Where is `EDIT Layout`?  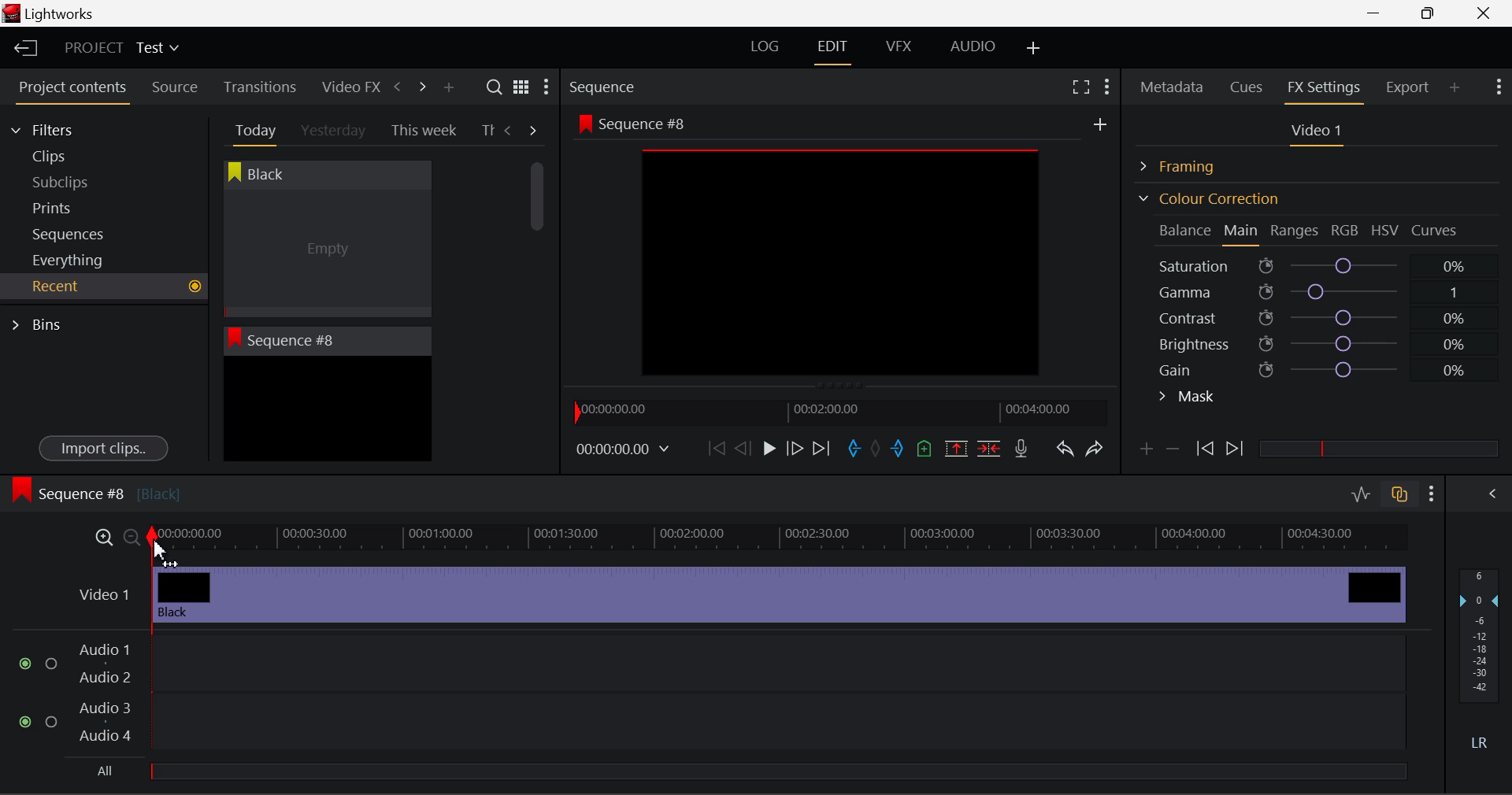
EDIT Layout is located at coordinates (835, 50).